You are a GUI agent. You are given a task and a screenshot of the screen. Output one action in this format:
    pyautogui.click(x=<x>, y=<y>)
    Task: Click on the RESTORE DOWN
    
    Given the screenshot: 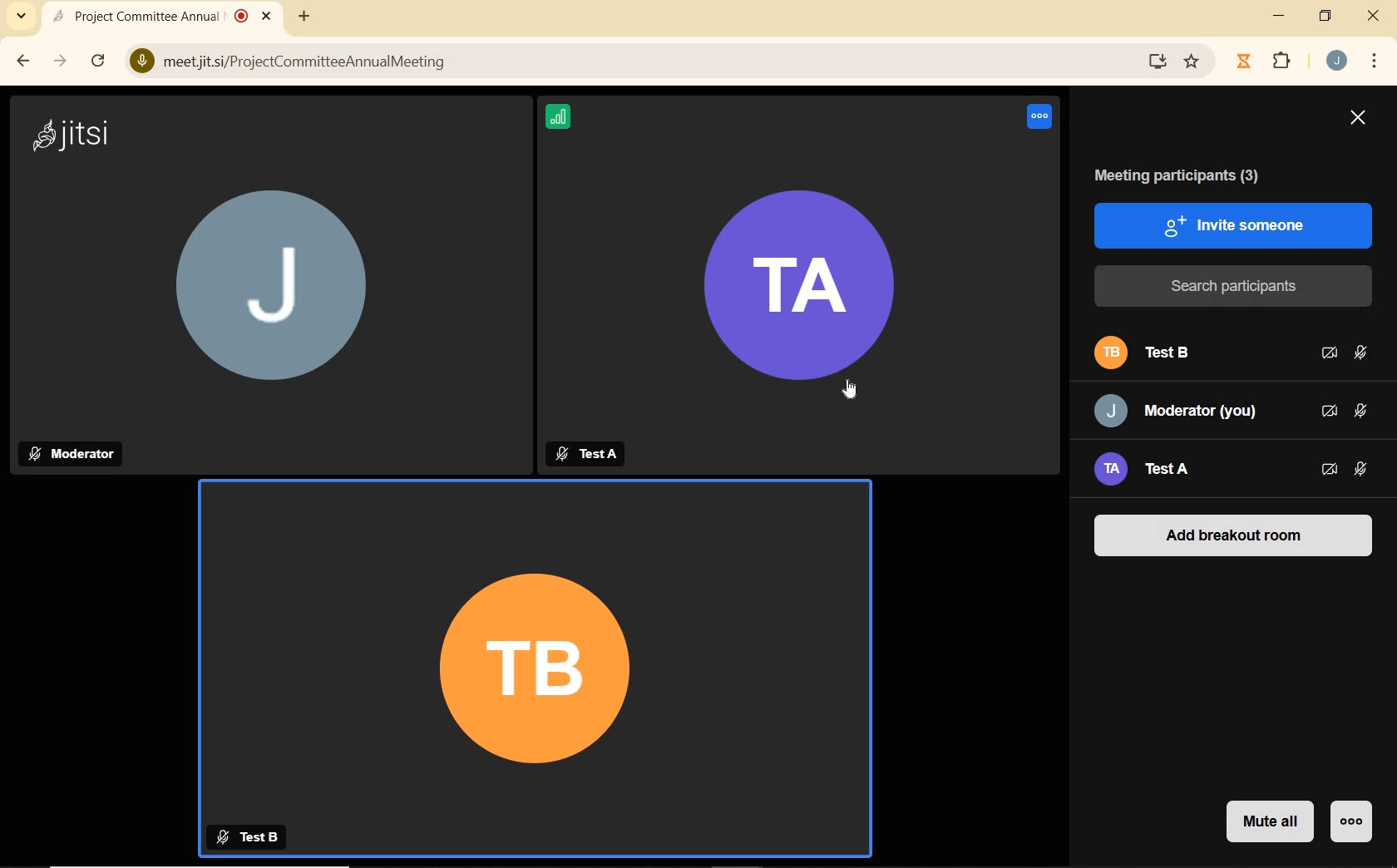 What is the action you would take?
    pyautogui.click(x=1325, y=17)
    